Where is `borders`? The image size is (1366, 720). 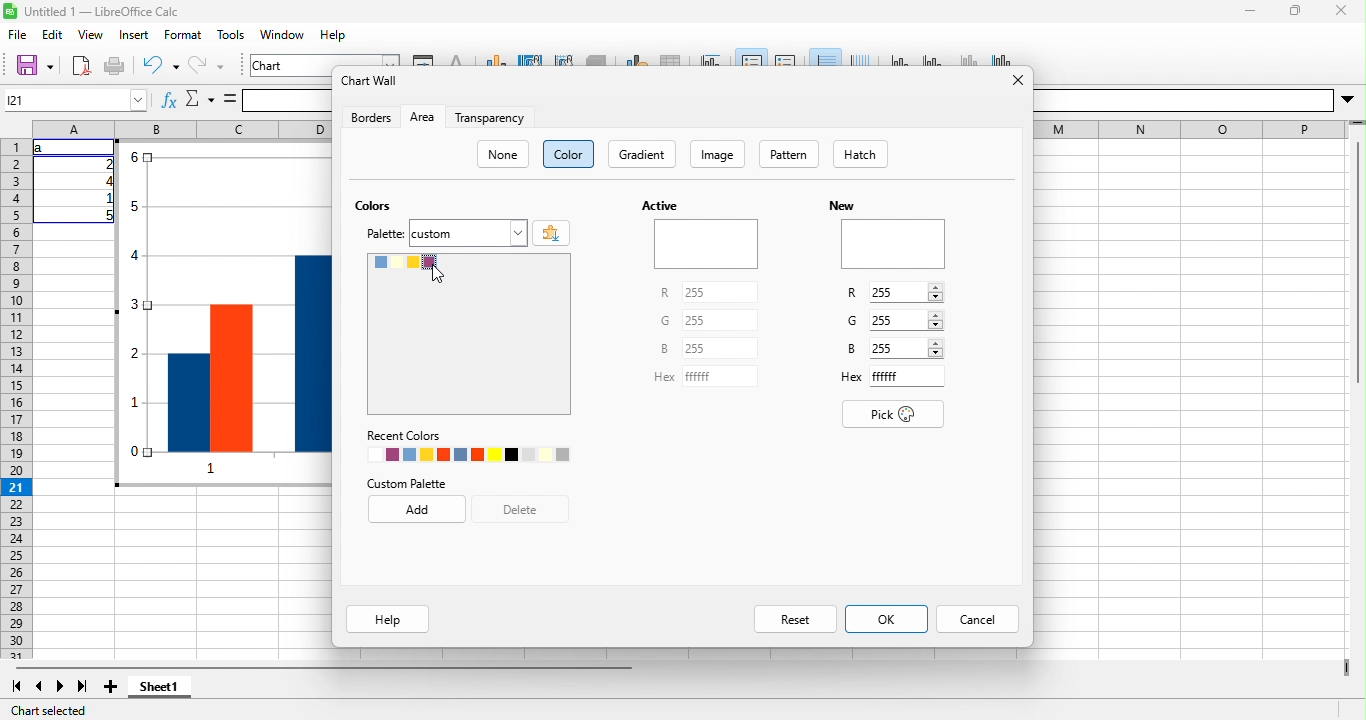
borders is located at coordinates (371, 117).